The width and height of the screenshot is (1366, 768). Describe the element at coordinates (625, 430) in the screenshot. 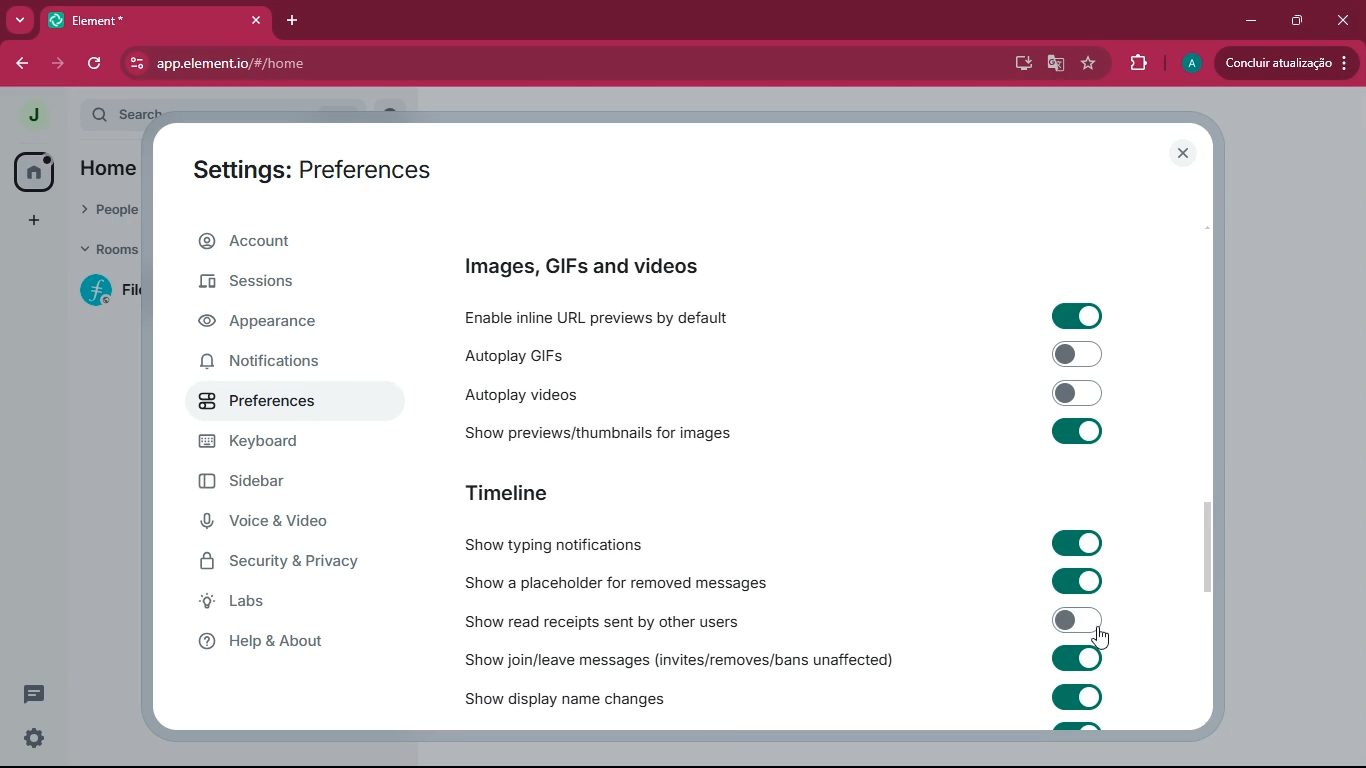

I see `show previews/thumbnails for images` at that location.